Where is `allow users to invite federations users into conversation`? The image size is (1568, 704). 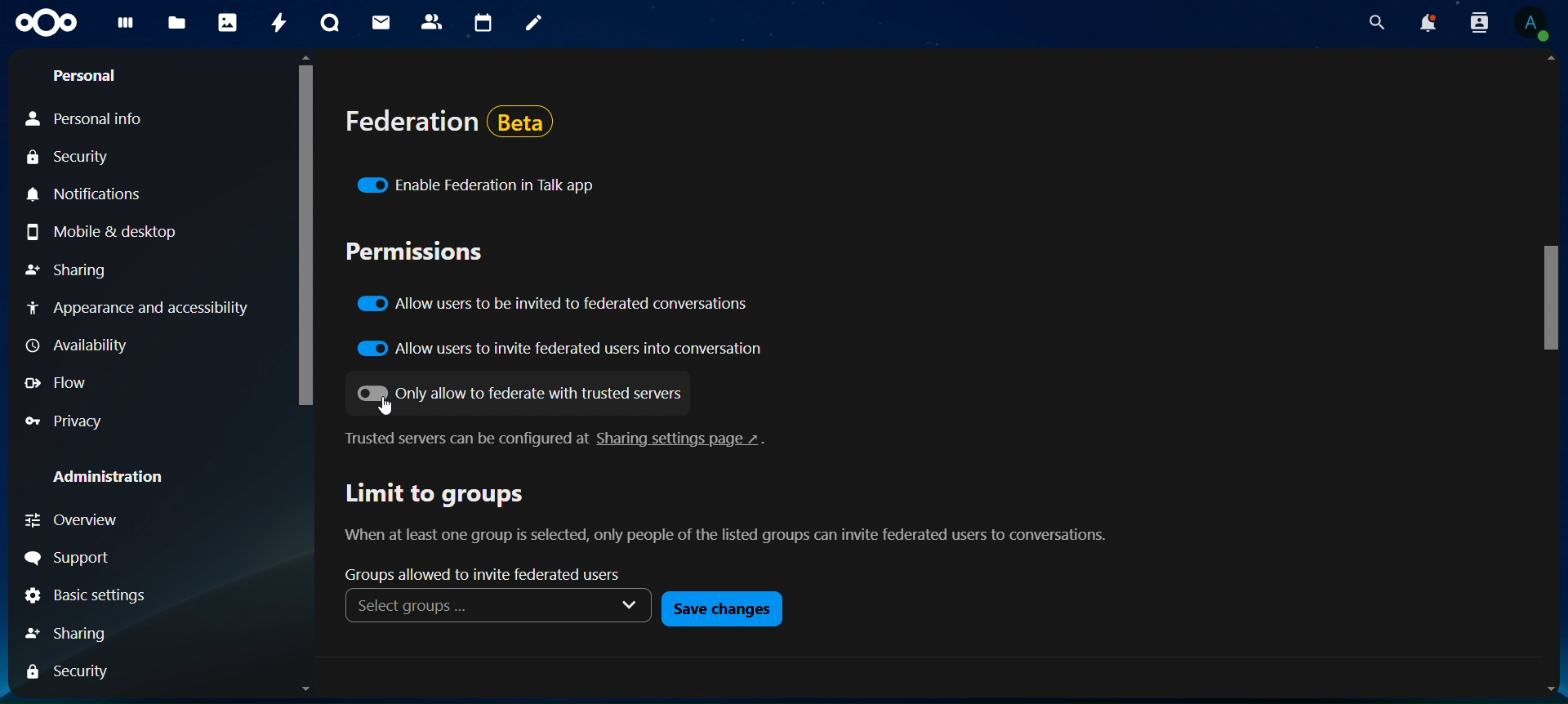 allow users to invite federations users into conversation is located at coordinates (567, 350).